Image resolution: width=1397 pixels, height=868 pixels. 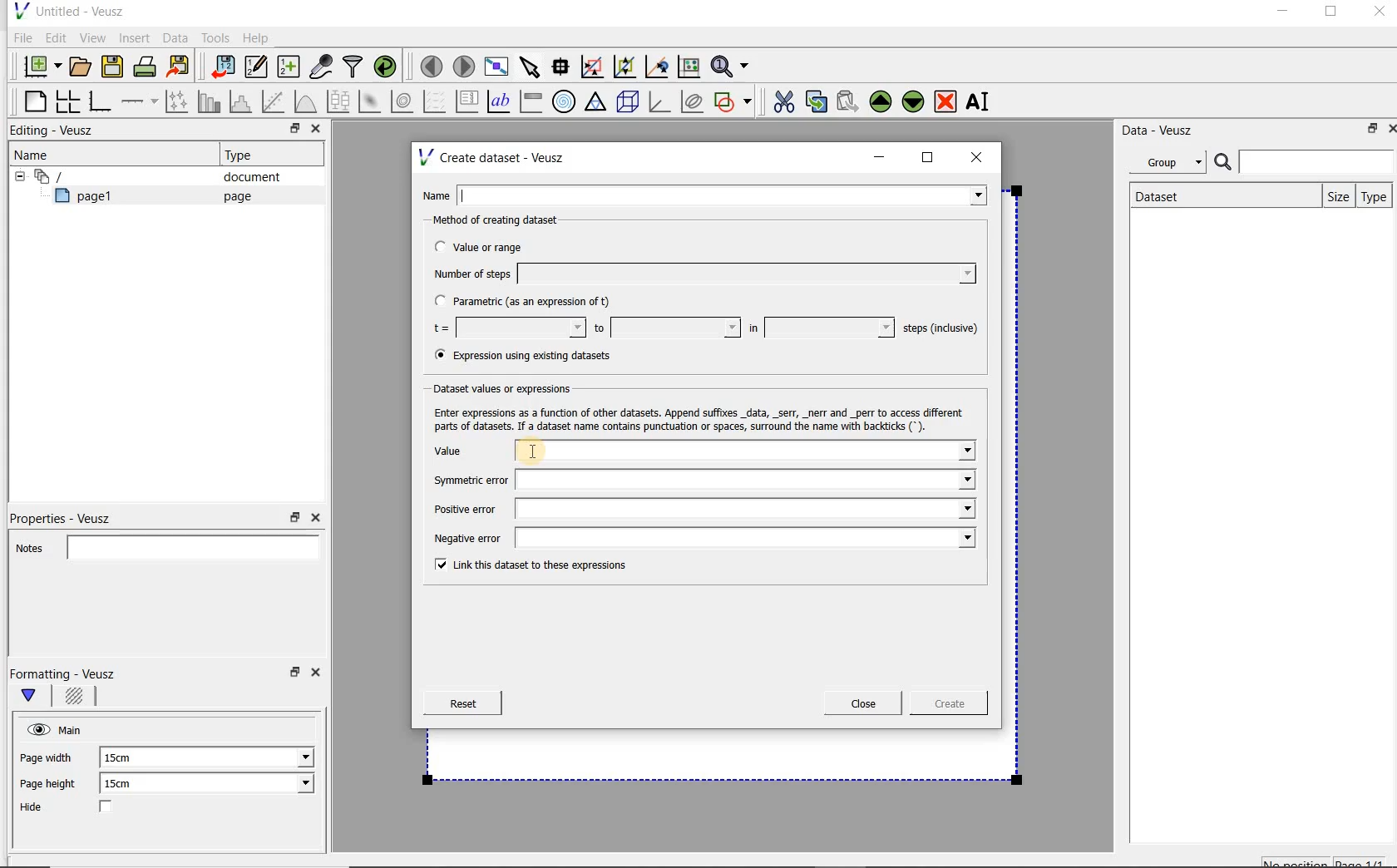 I want to click on Name, so click(x=708, y=194).